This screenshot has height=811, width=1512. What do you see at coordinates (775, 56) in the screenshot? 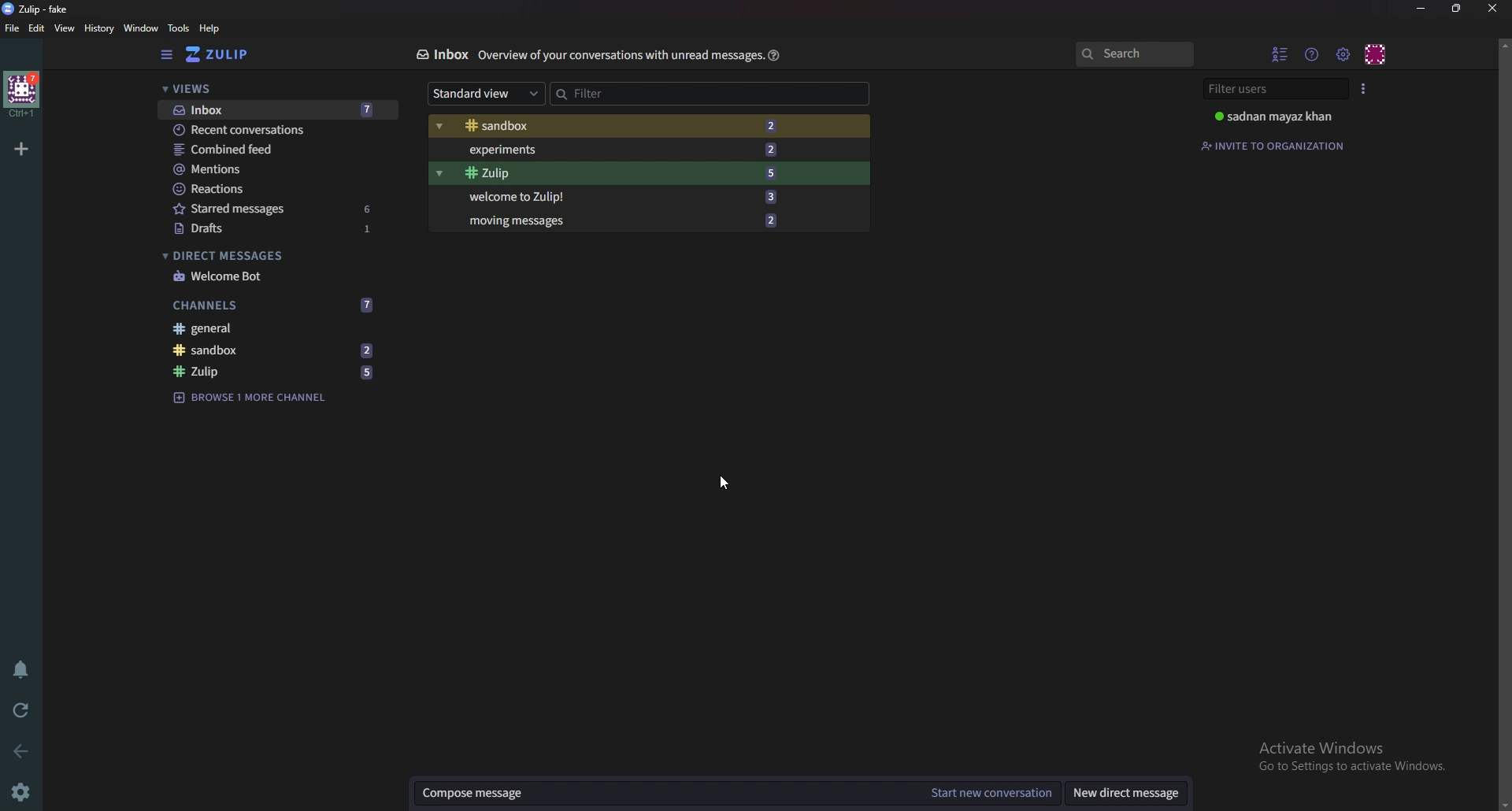
I see `help` at bounding box center [775, 56].